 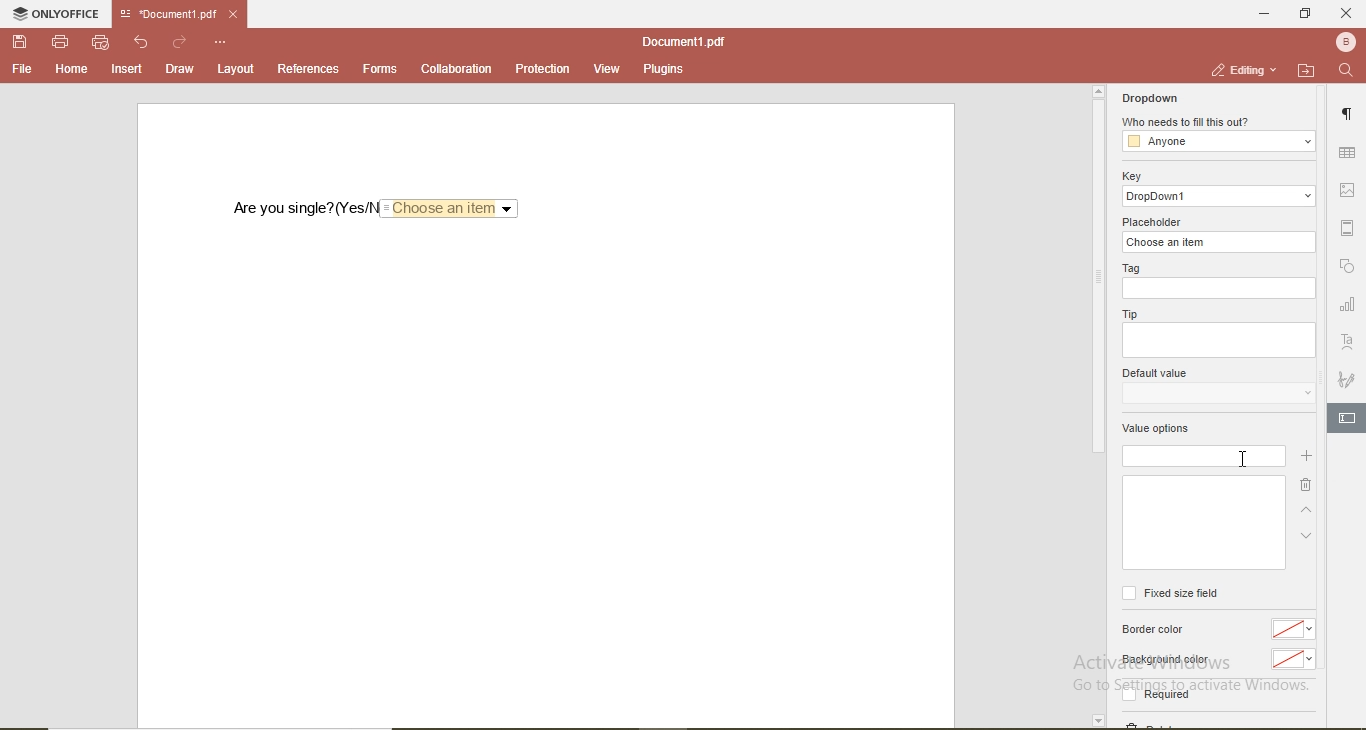 I want to click on table, so click(x=1346, y=154).